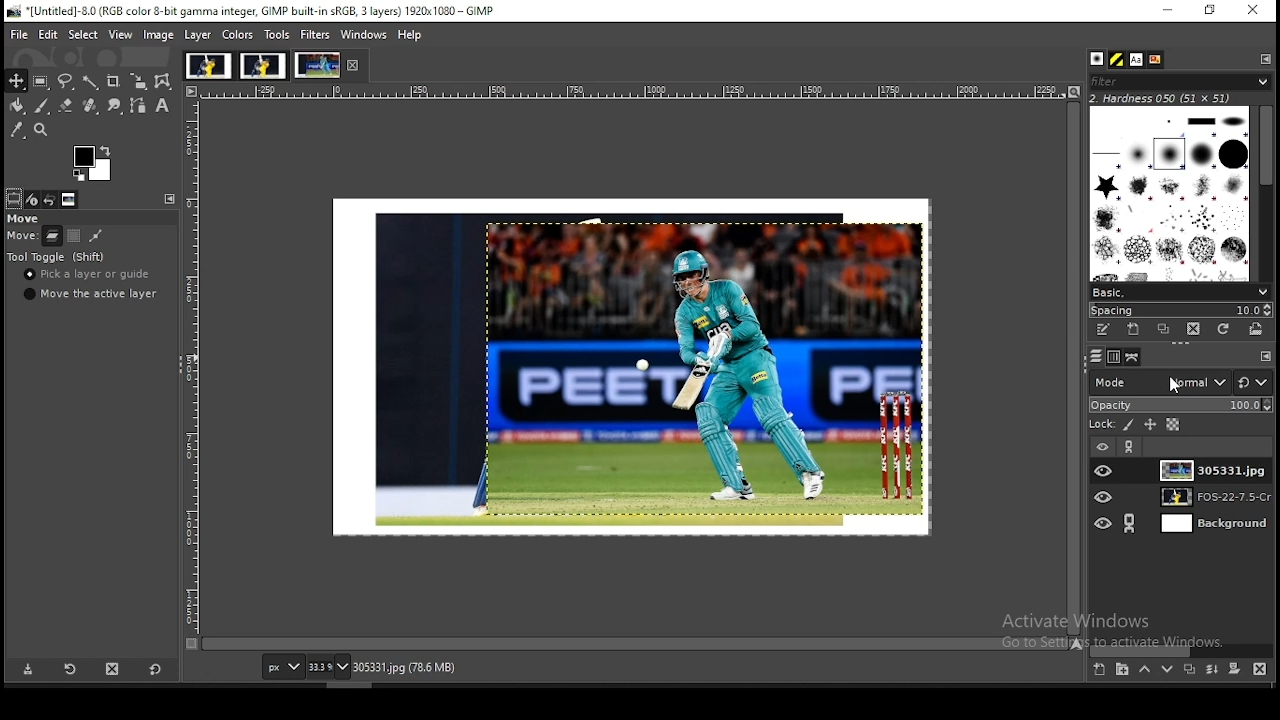 The height and width of the screenshot is (720, 1280). I want to click on view, so click(121, 36).